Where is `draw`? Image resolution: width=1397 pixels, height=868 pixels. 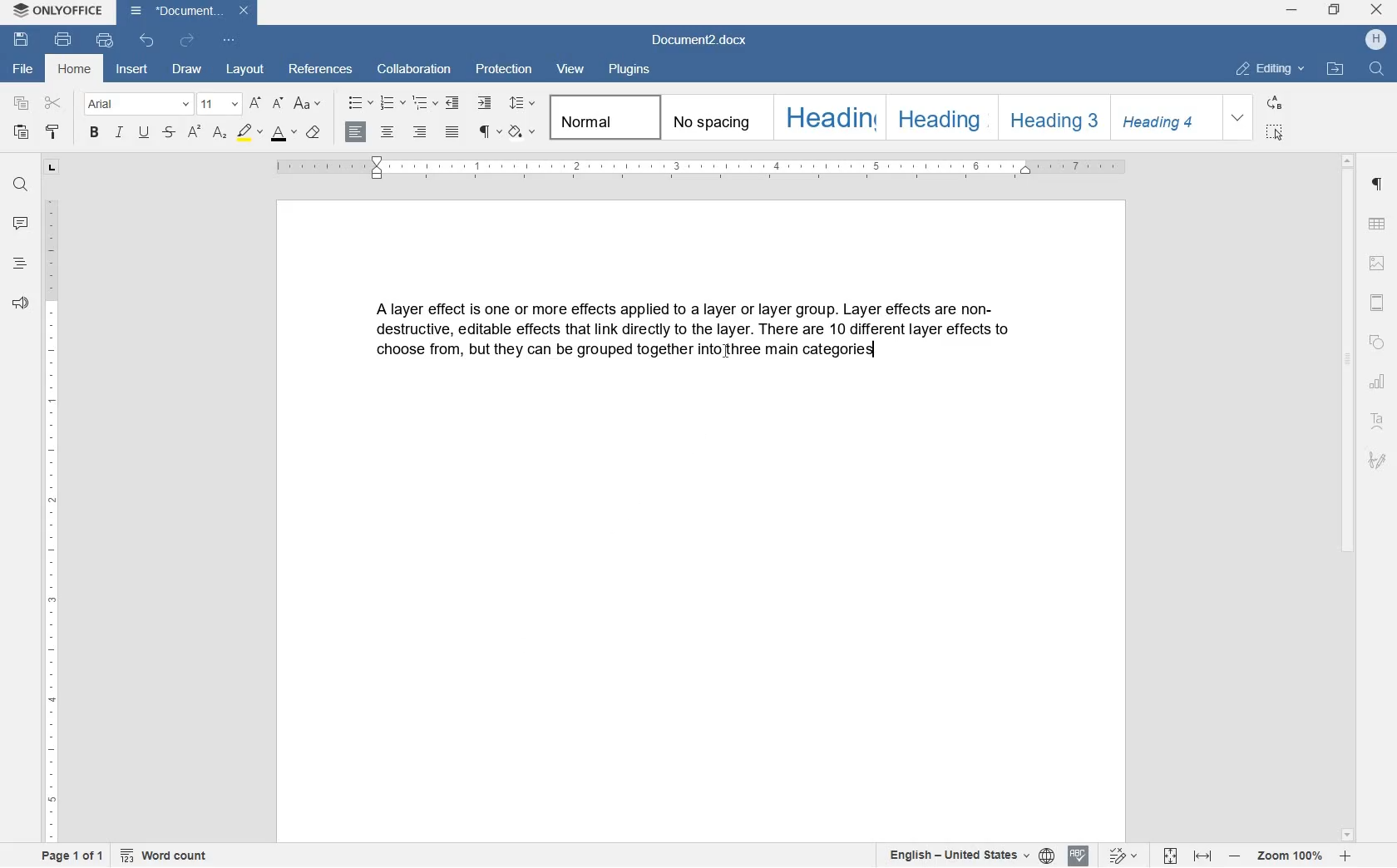 draw is located at coordinates (187, 71).